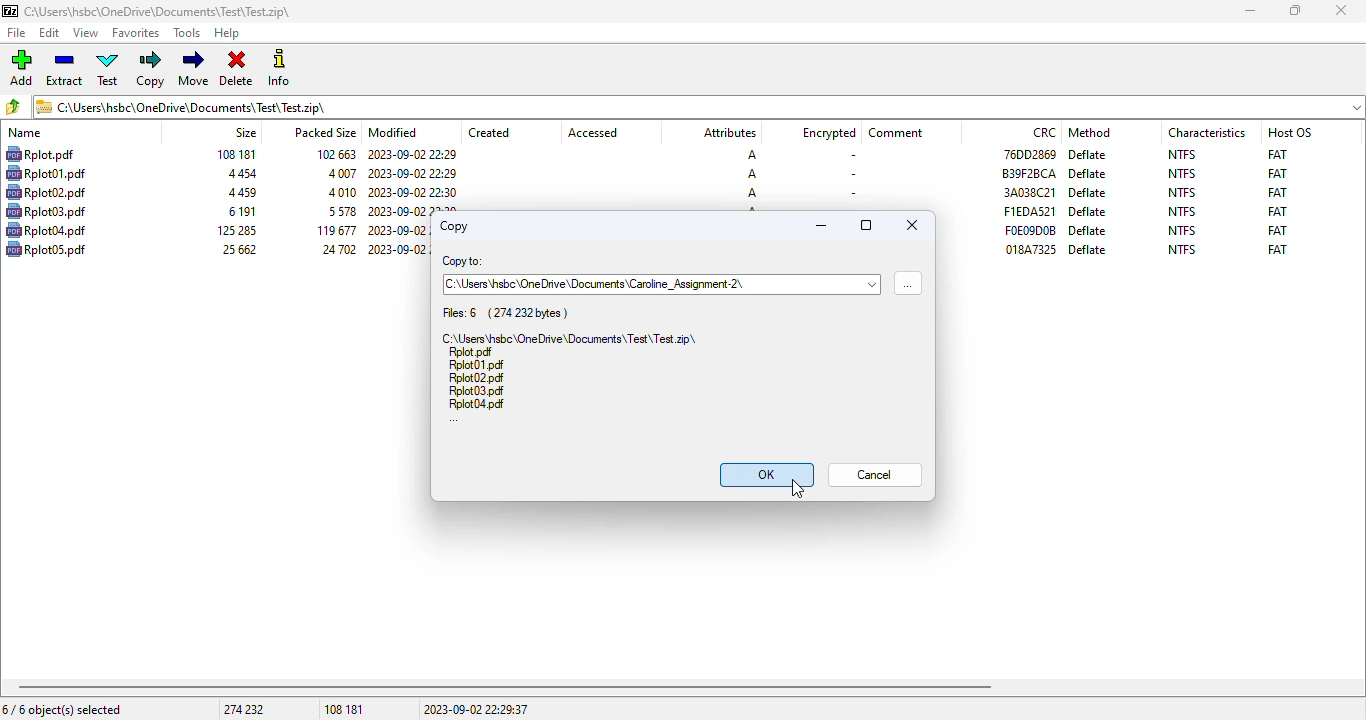 The width and height of the screenshot is (1366, 720). I want to click on attributes, so click(728, 133).